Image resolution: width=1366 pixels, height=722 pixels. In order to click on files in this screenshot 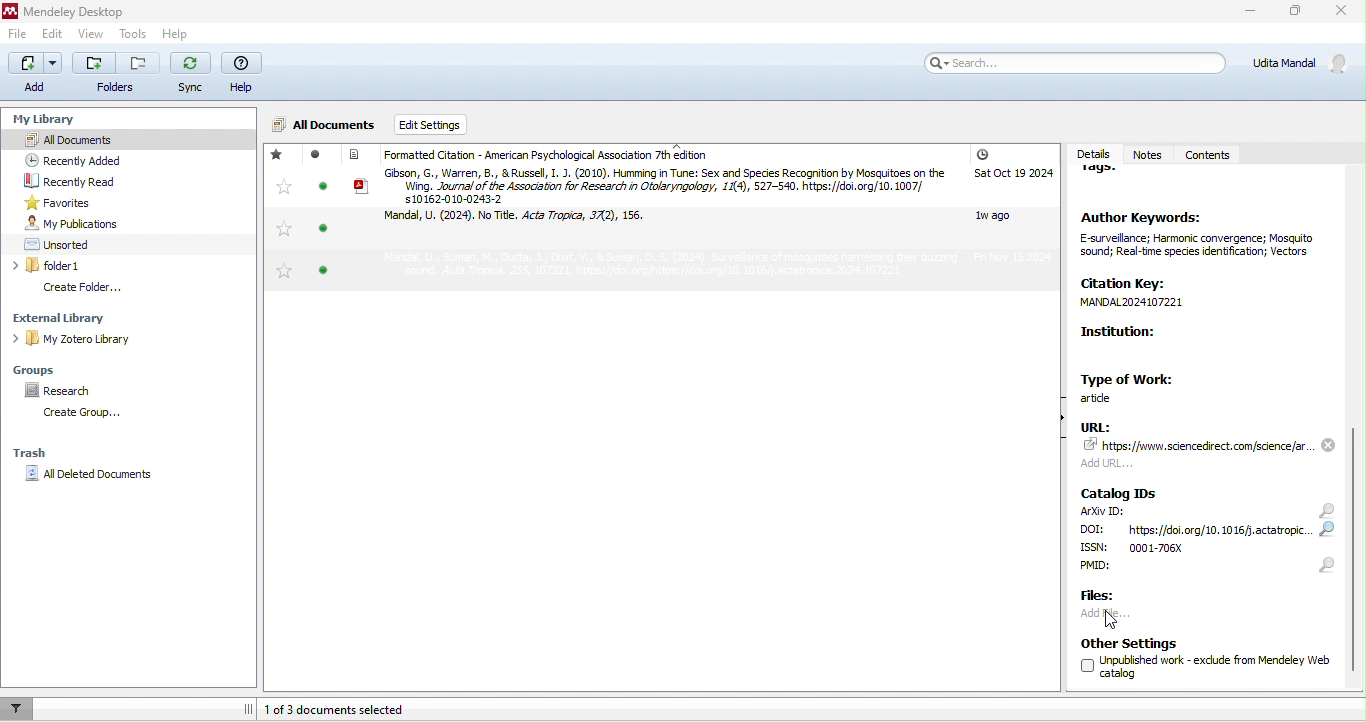, I will do `click(1104, 597)`.